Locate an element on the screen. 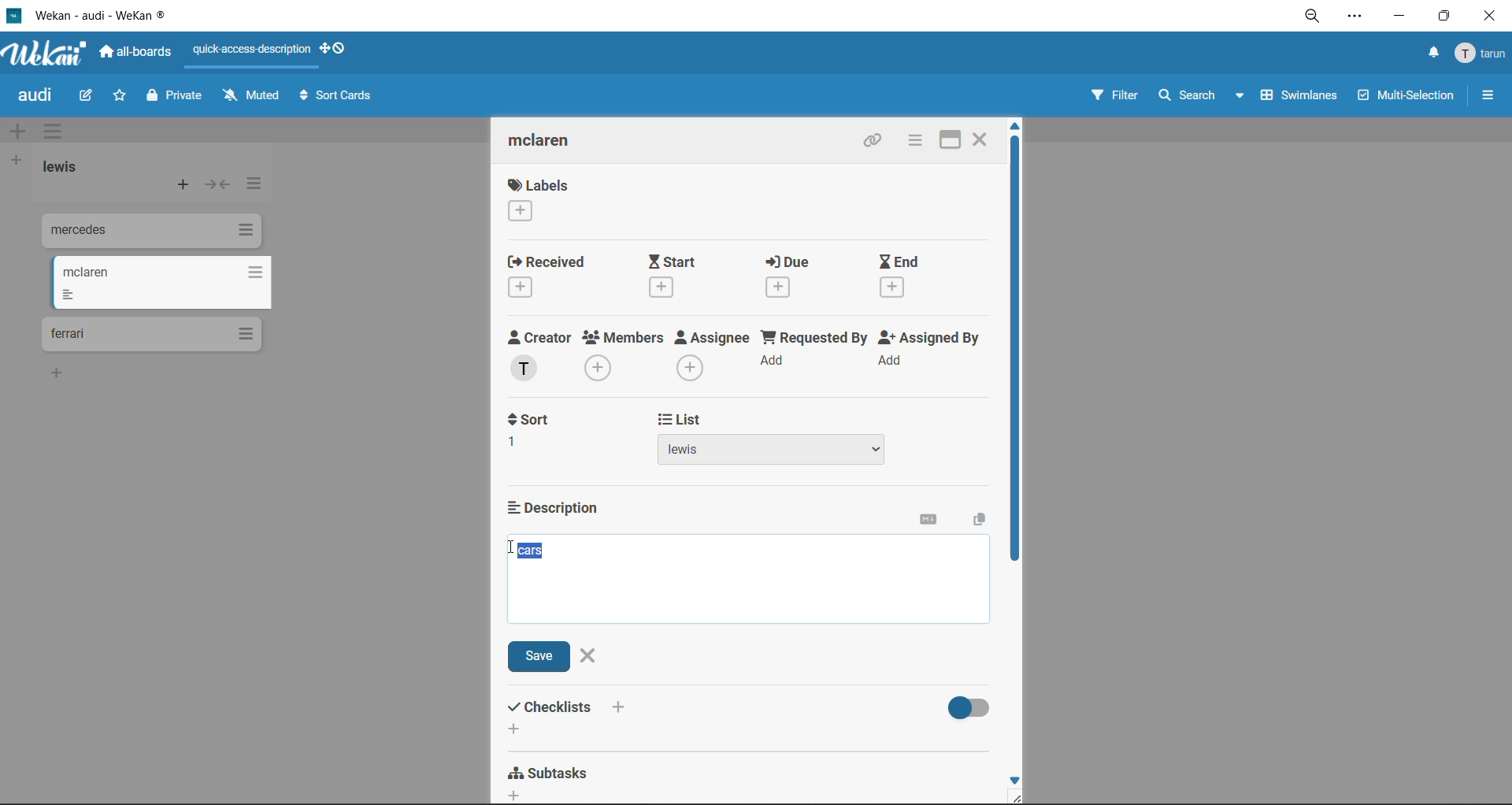  vertical scroll bar is located at coordinates (1015, 353).